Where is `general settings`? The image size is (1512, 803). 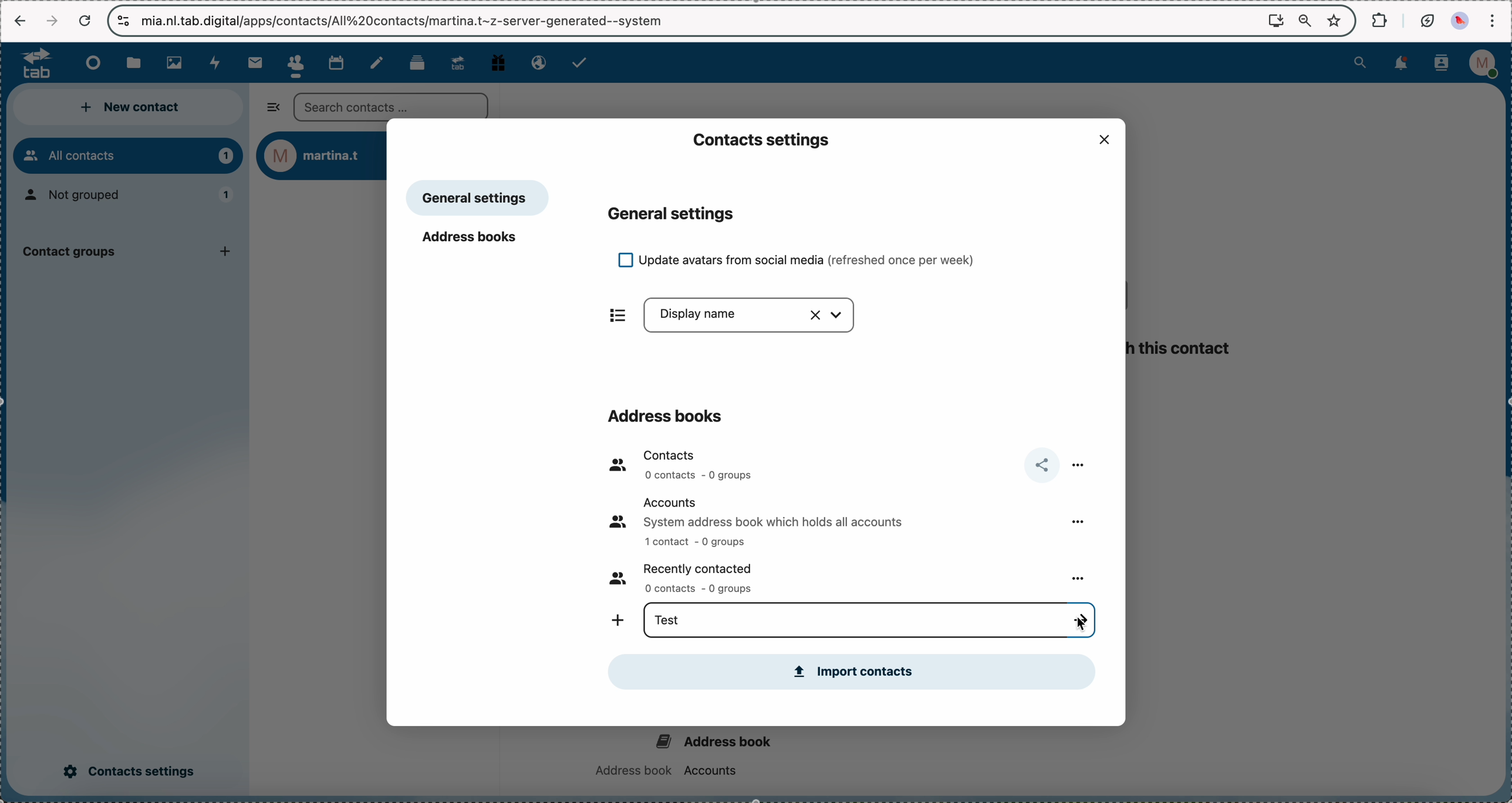 general settings is located at coordinates (673, 213).